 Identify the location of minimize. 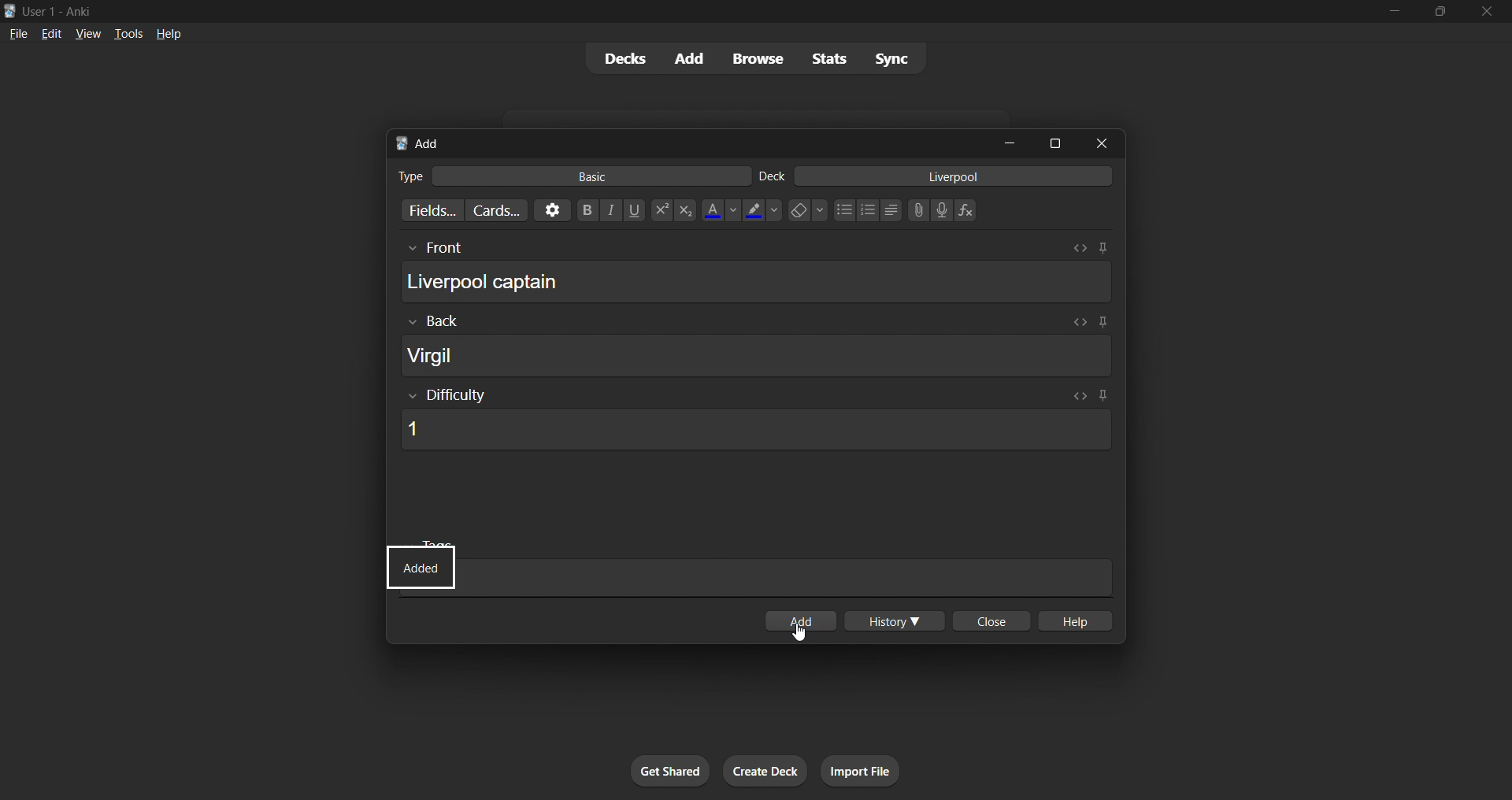
(1010, 143).